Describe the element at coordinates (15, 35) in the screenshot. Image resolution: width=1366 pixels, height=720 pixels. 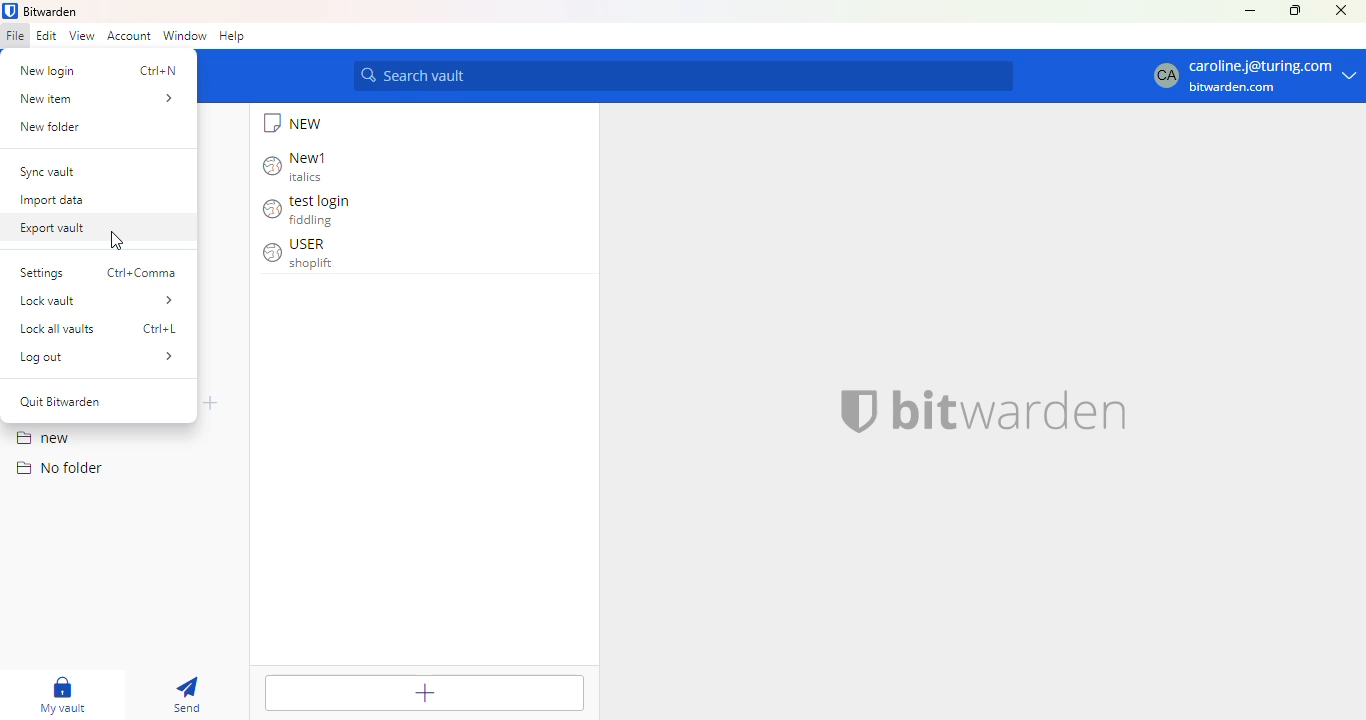
I see `file` at that location.